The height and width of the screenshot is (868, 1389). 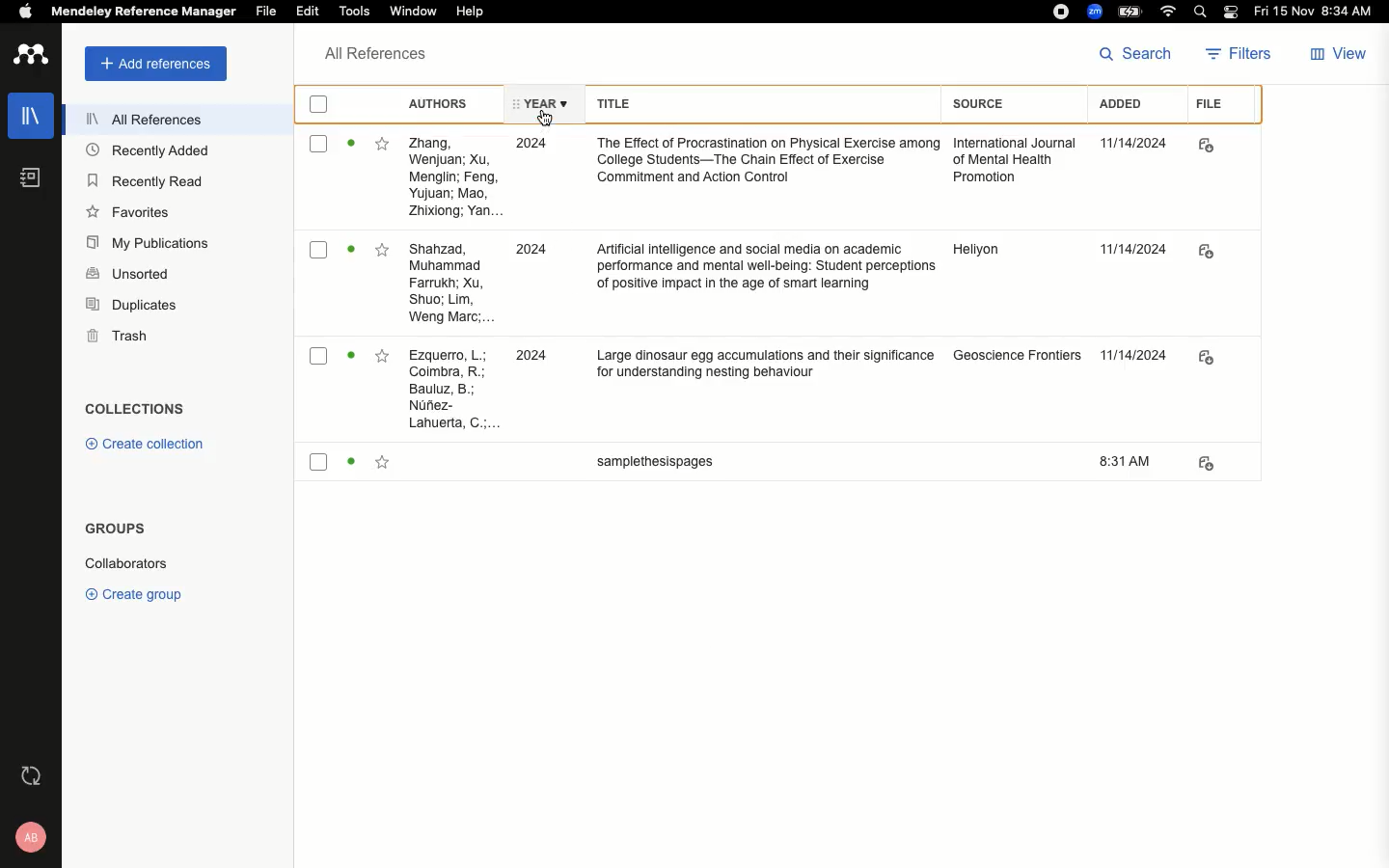 What do you see at coordinates (540, 256) in the screenshot?
I see `year of publication` at bounding box center [540, 256].